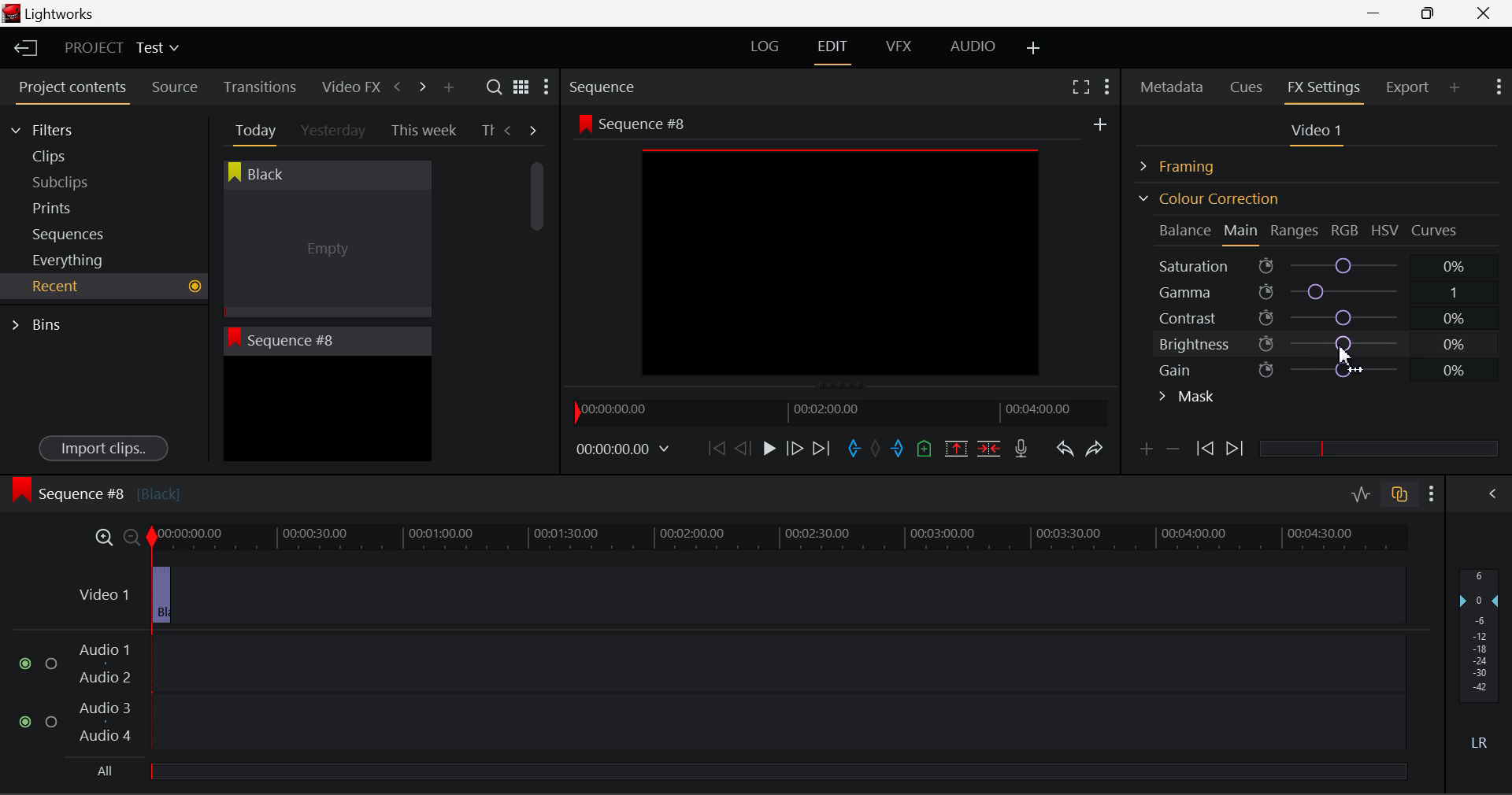  I want to click on Add Panel, so click(1455, 87).